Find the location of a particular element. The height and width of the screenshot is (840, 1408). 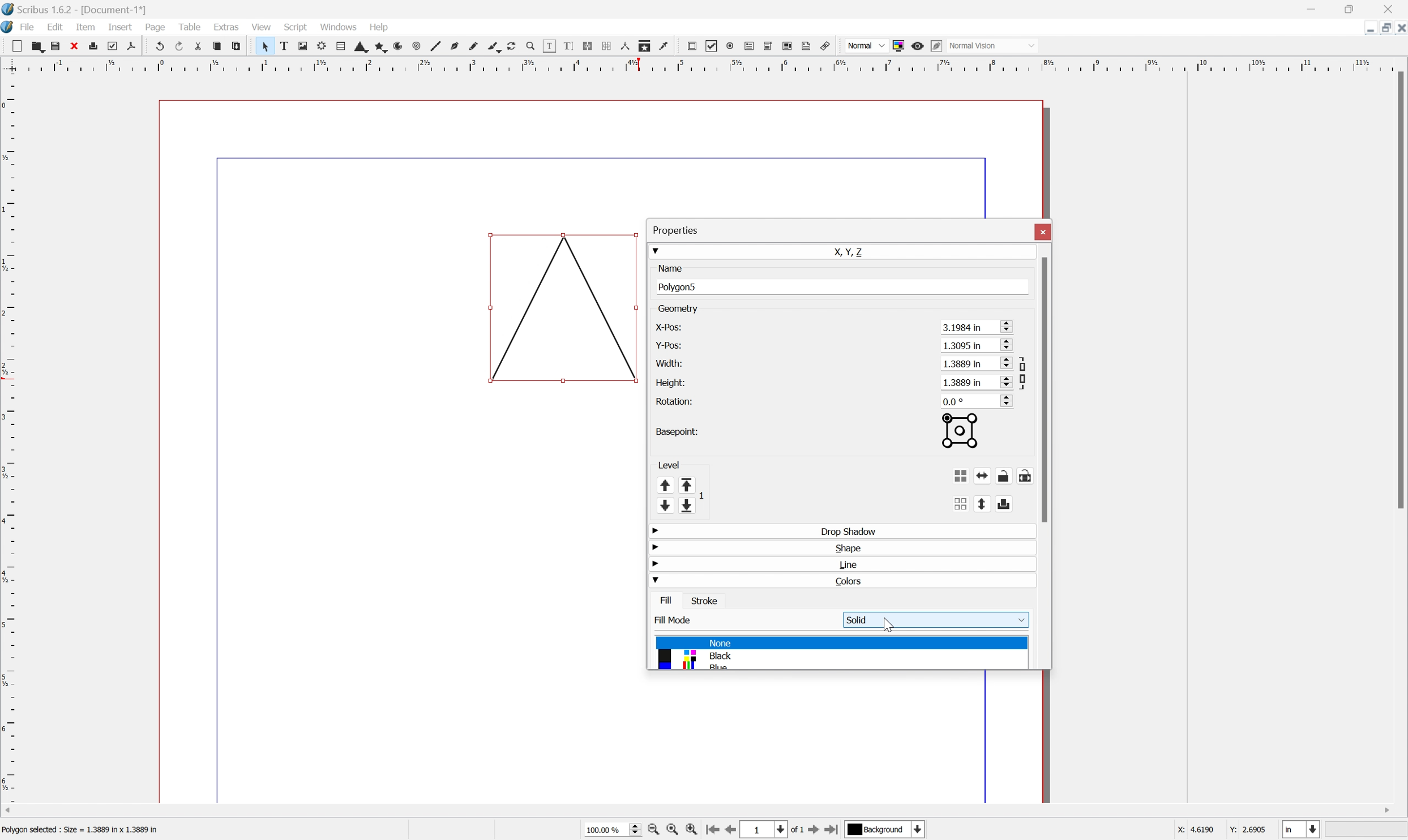

Enable disable exporting objects is located at coordinates (1018, 503).